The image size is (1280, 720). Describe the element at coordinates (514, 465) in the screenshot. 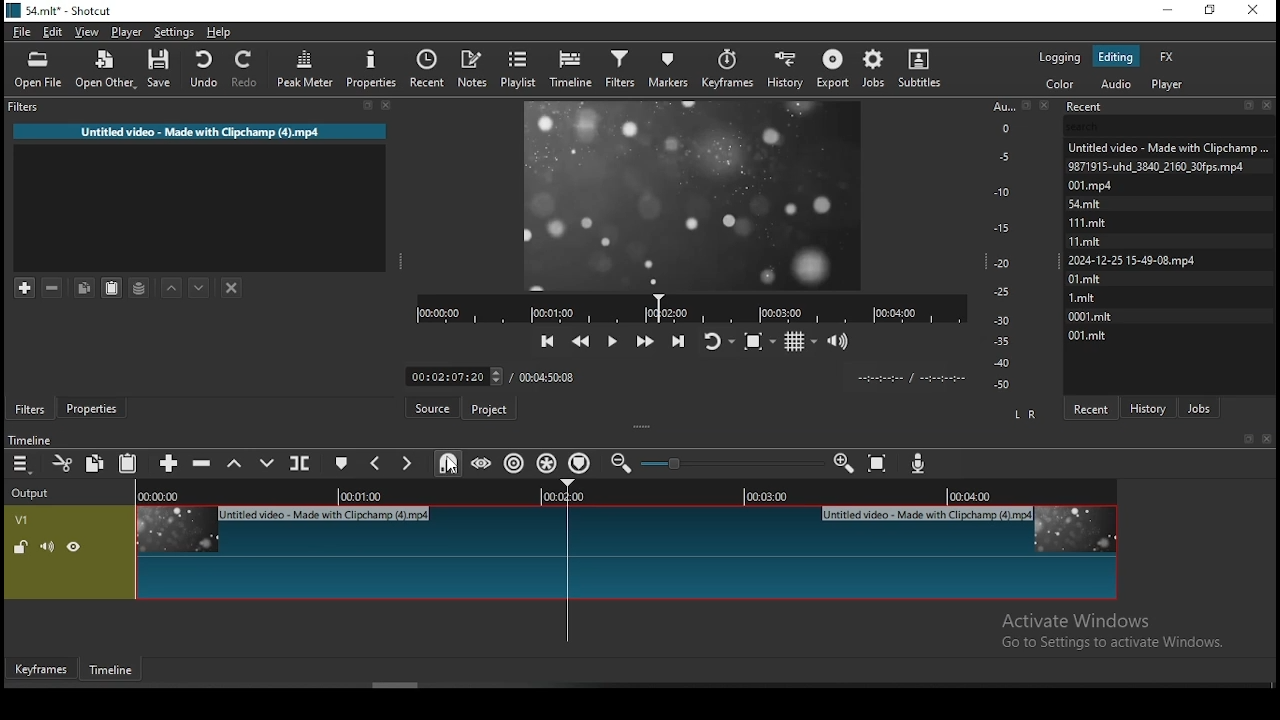

I see `ripple` at that location.